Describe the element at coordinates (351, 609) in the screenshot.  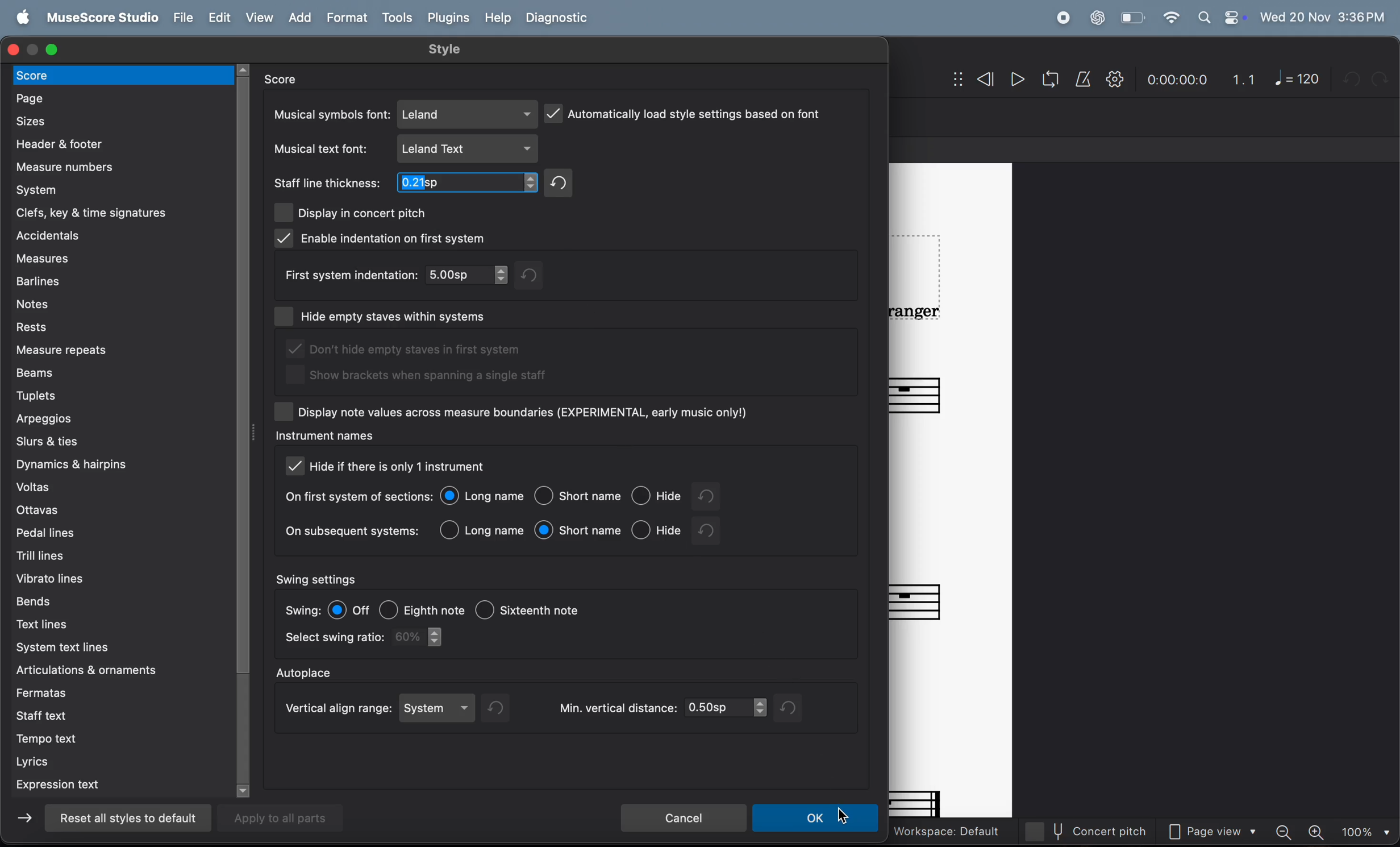
I see `off` at that location.